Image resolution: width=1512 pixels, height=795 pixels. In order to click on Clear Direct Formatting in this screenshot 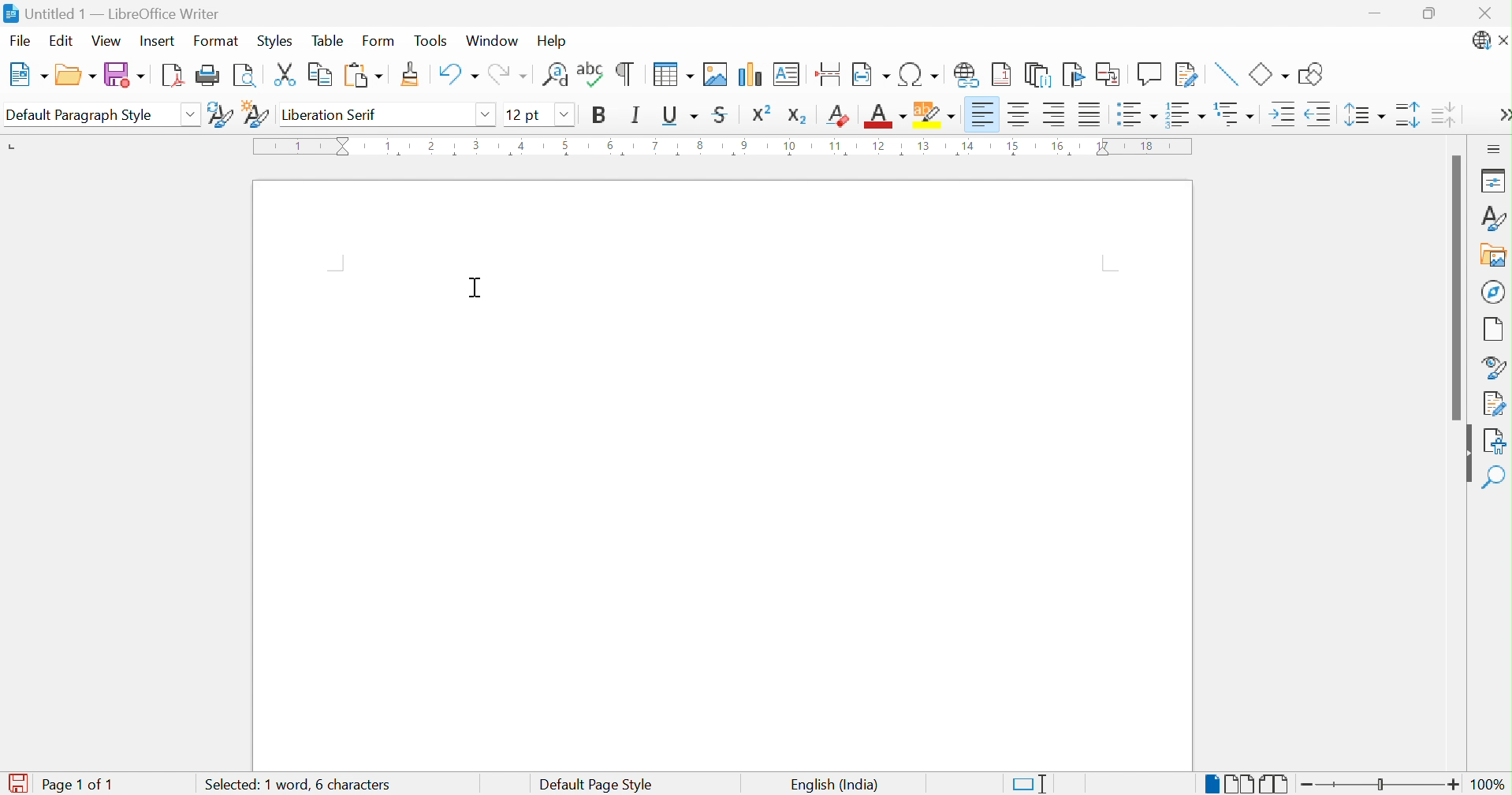, I will do `click(840, 115)`.